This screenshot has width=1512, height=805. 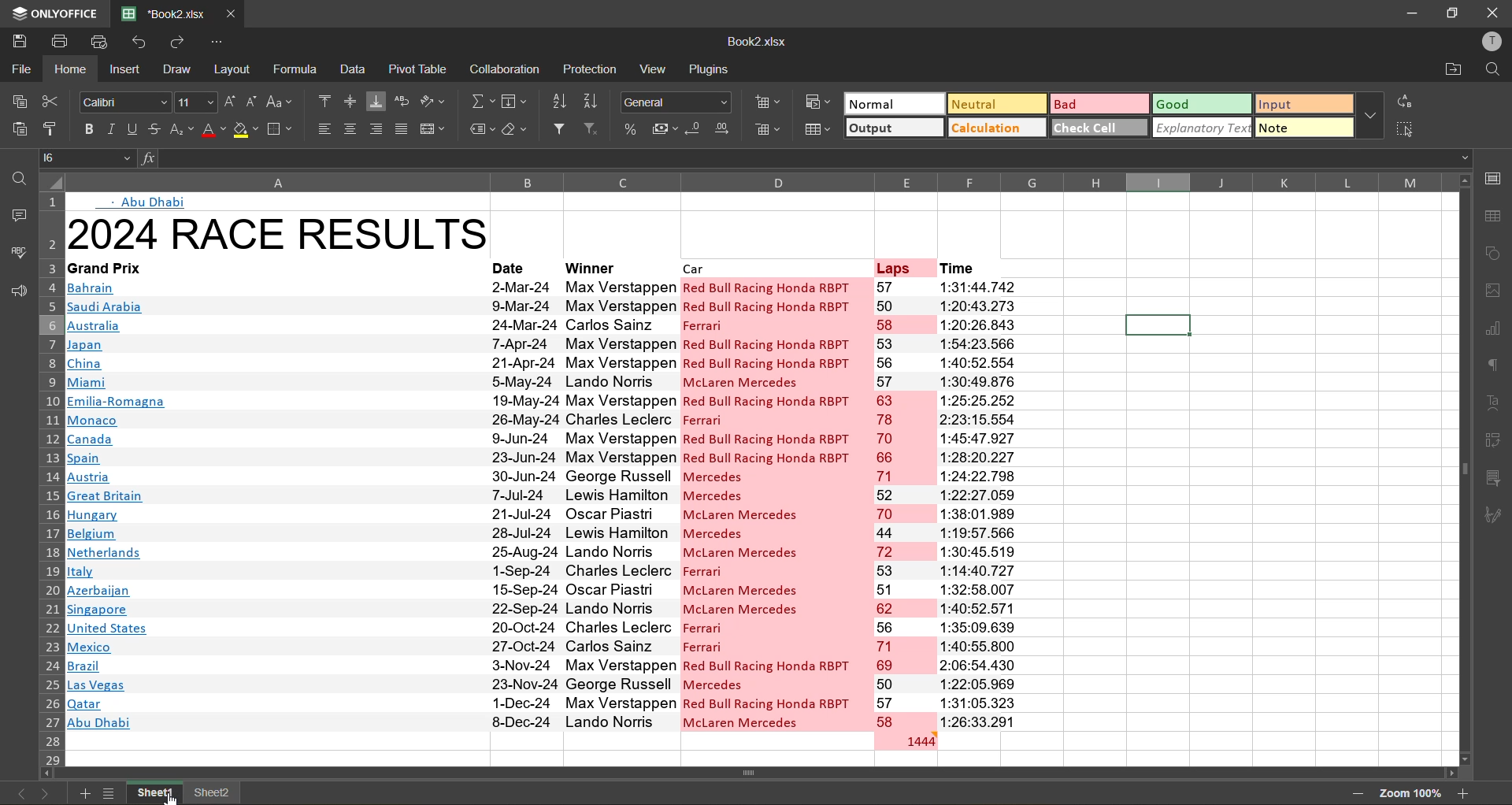 What do you see at coordinates (695, 130) in the screenshot?
I see `decrease decimal` at bounding box center [695, 130].